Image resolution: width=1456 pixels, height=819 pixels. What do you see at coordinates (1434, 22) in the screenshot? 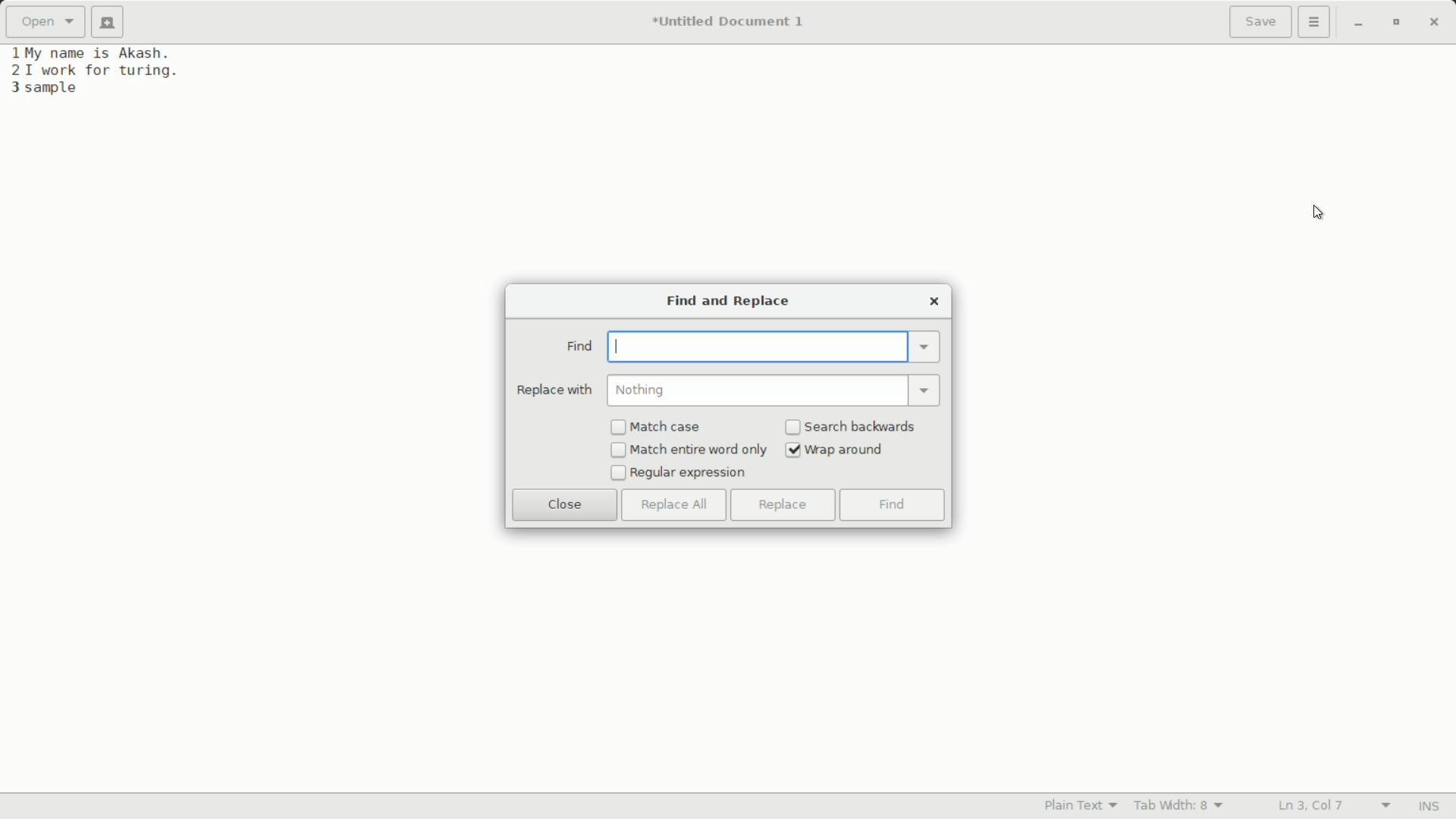
I see `close app` at bounding box center [1434, 22].